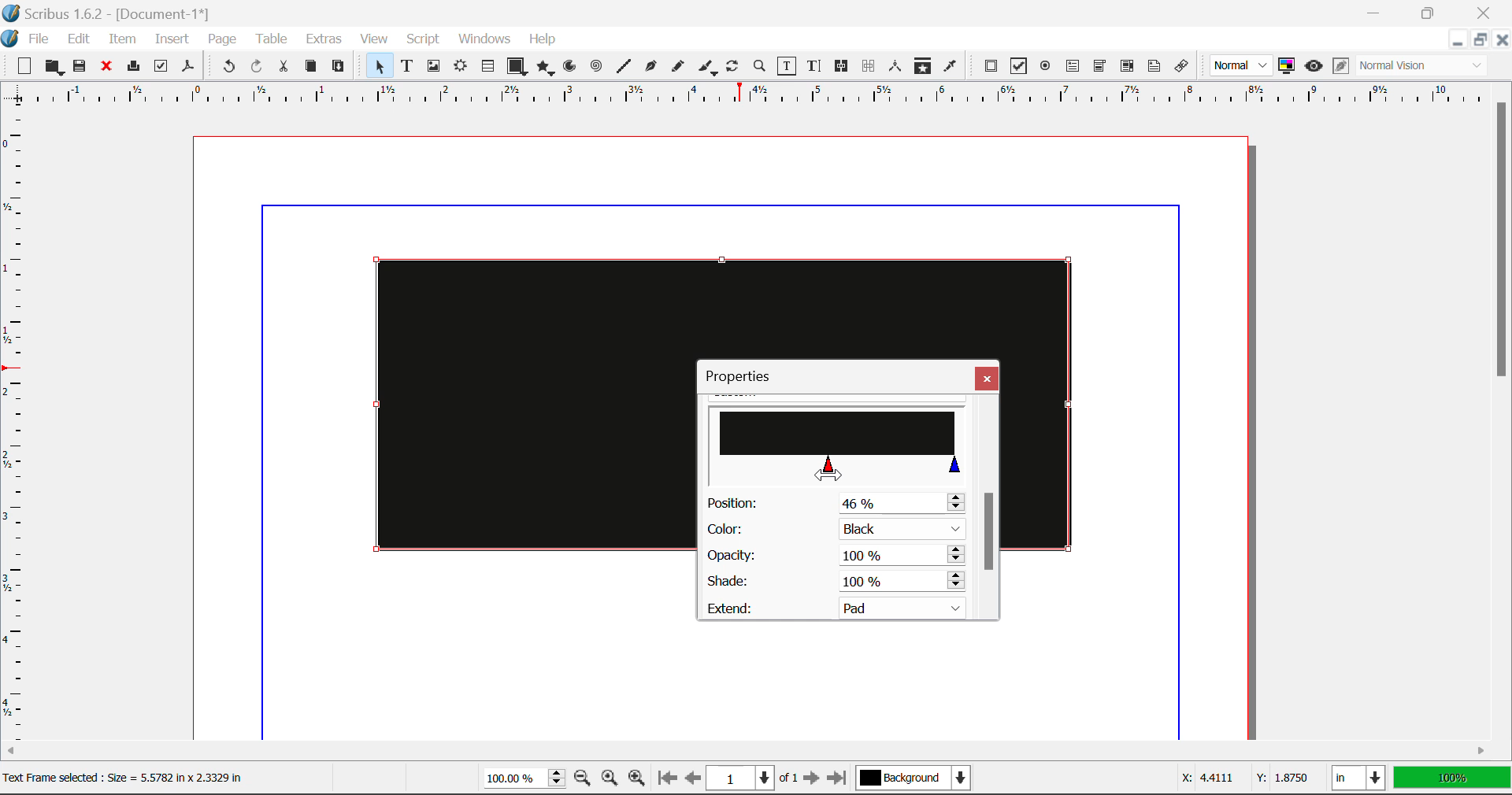  Describe the element at coordinates (1501, 39) in the screenshot. I see `Close` at that location.